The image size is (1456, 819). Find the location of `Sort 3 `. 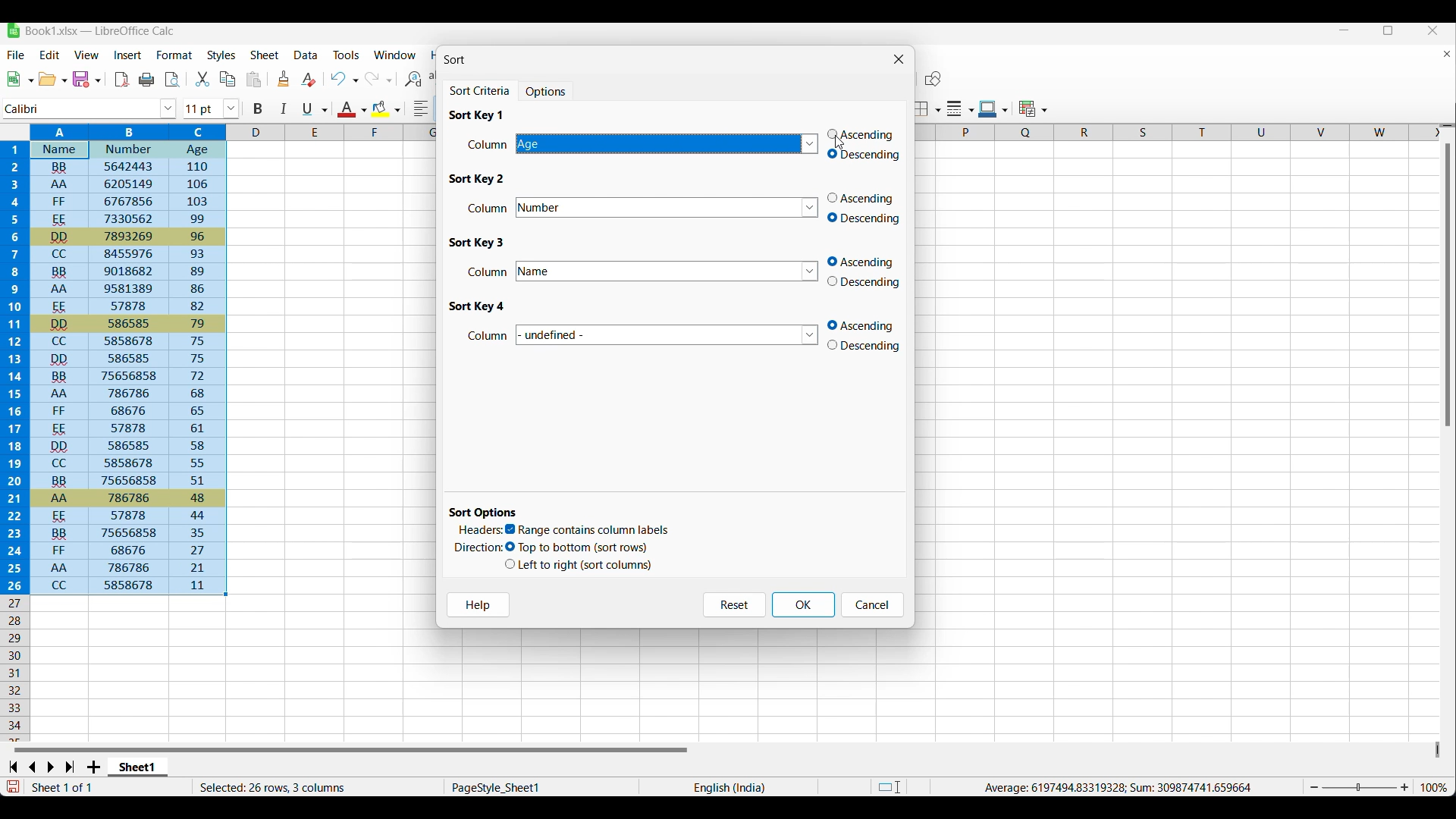

Sort 3  is located at coordinates (478, 243).